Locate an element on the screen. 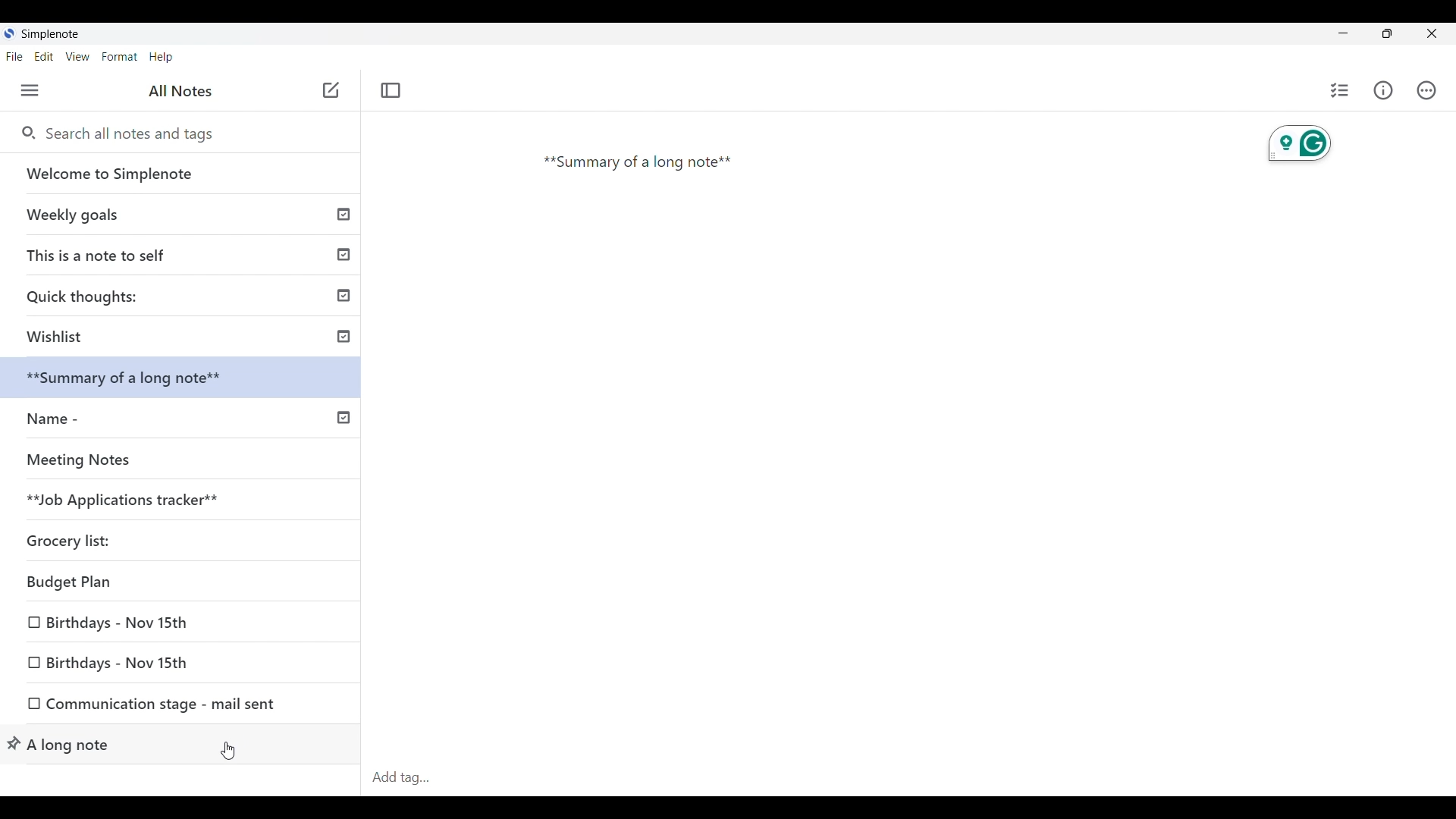 The image size is (1456, 819). Edit is located at coordinates (44, 57).